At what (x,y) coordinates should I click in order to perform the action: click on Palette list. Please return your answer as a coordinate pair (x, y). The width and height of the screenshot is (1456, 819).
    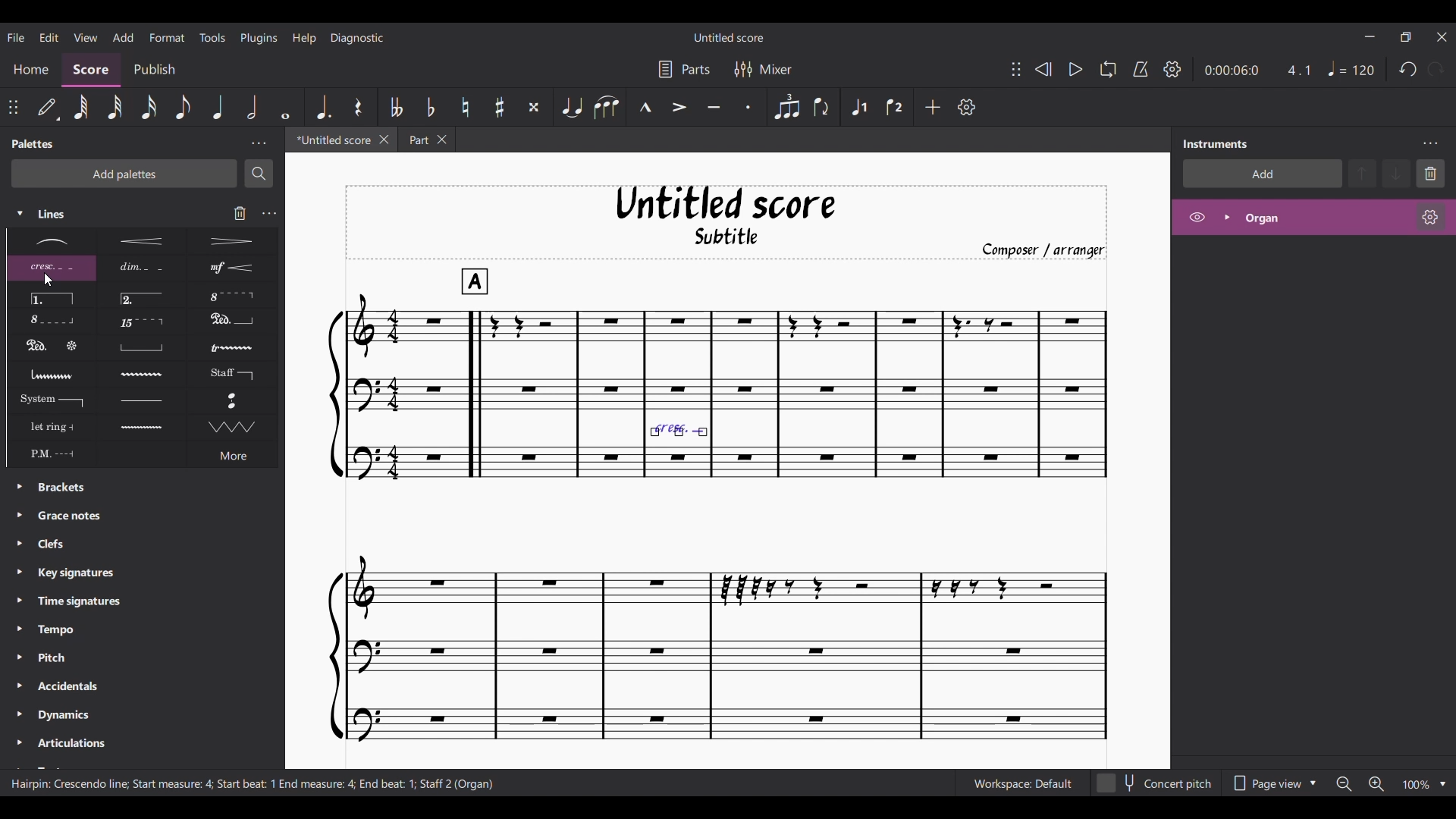
    Looking at the image, I should click on (152, 623).